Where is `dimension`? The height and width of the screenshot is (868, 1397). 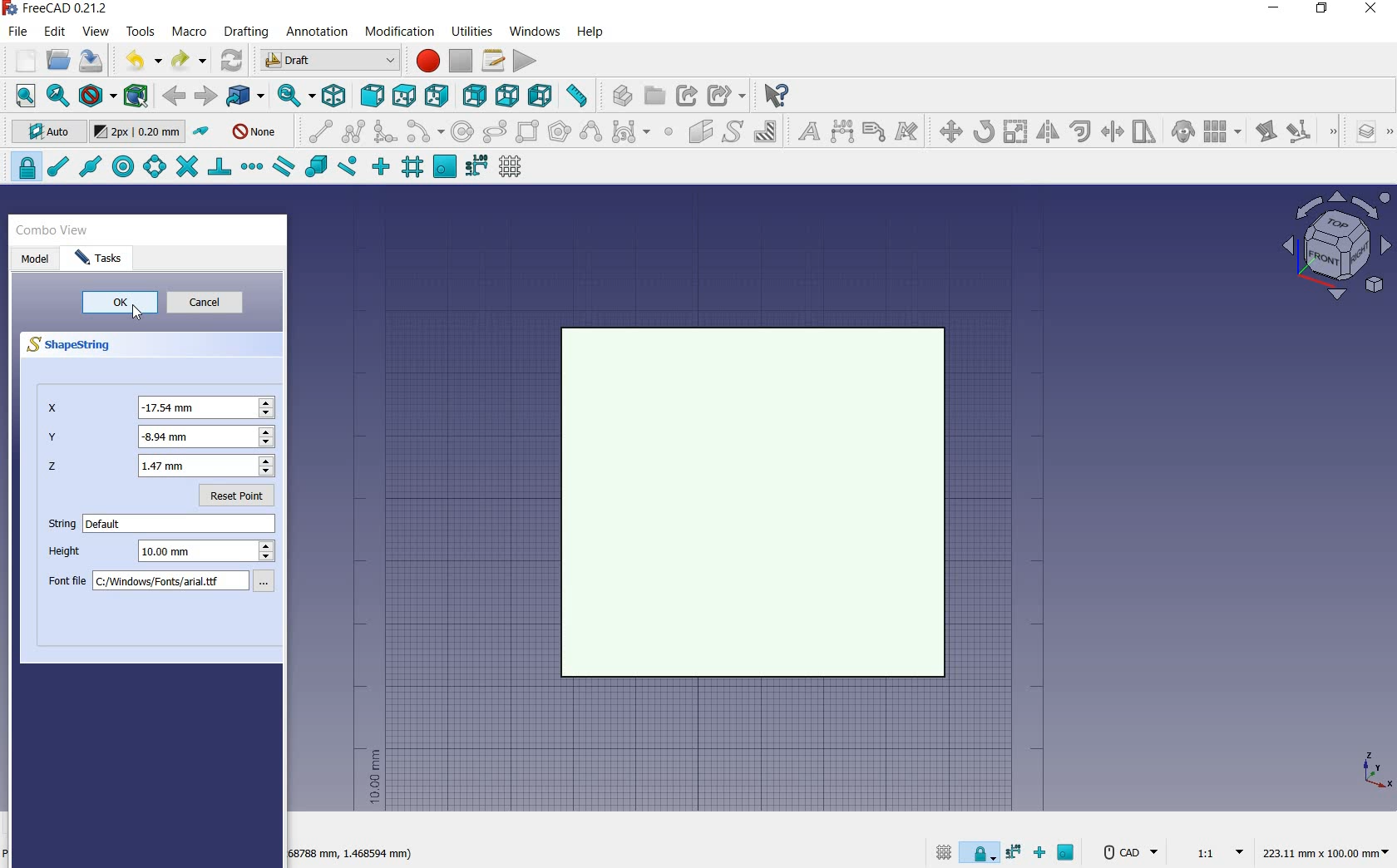 dimension is located at coordinates (353, 856).